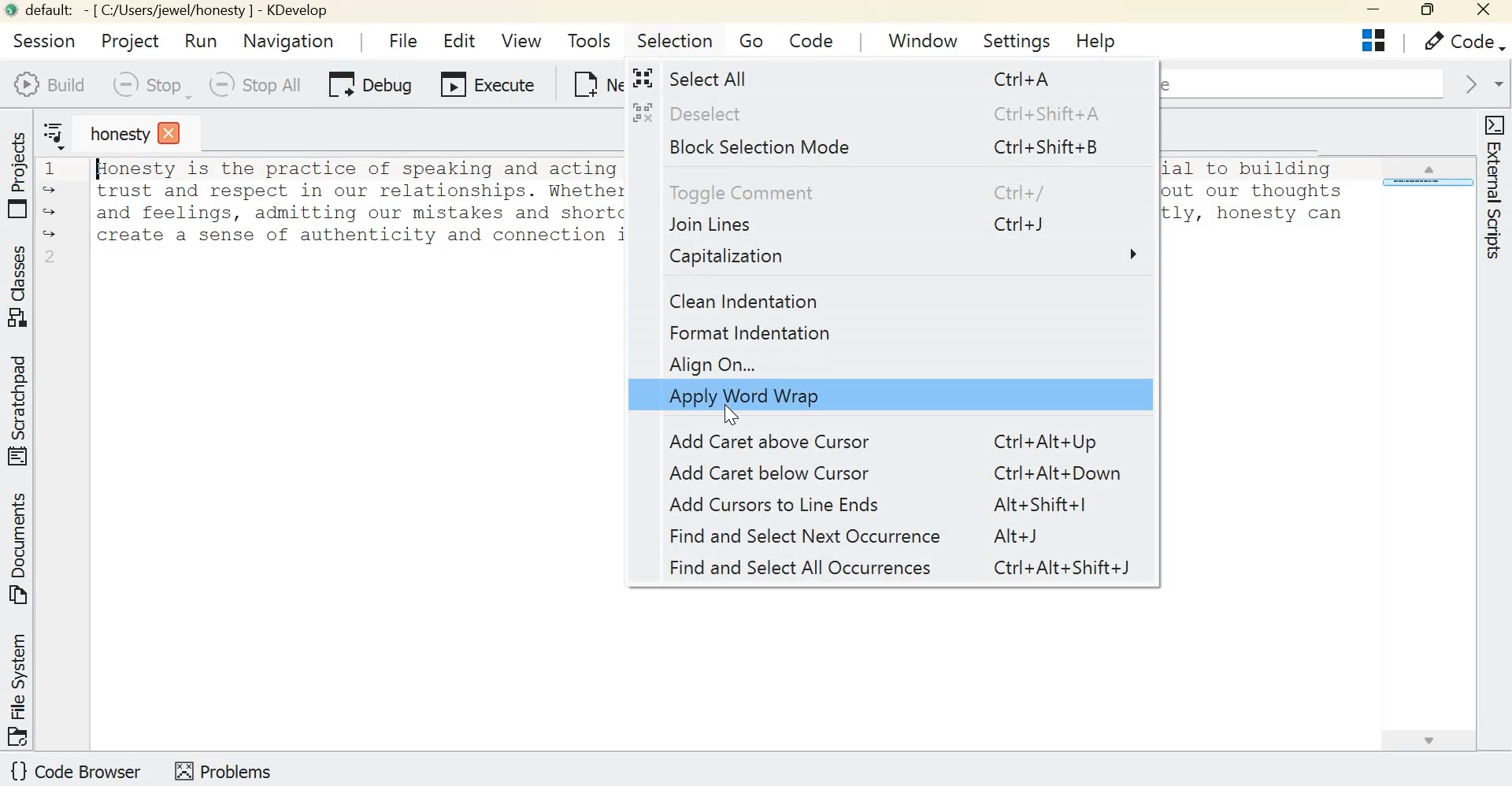 Image resolution: width=1512 pixels, height=786 pixels. I want to click on Session, so click(40, 39).